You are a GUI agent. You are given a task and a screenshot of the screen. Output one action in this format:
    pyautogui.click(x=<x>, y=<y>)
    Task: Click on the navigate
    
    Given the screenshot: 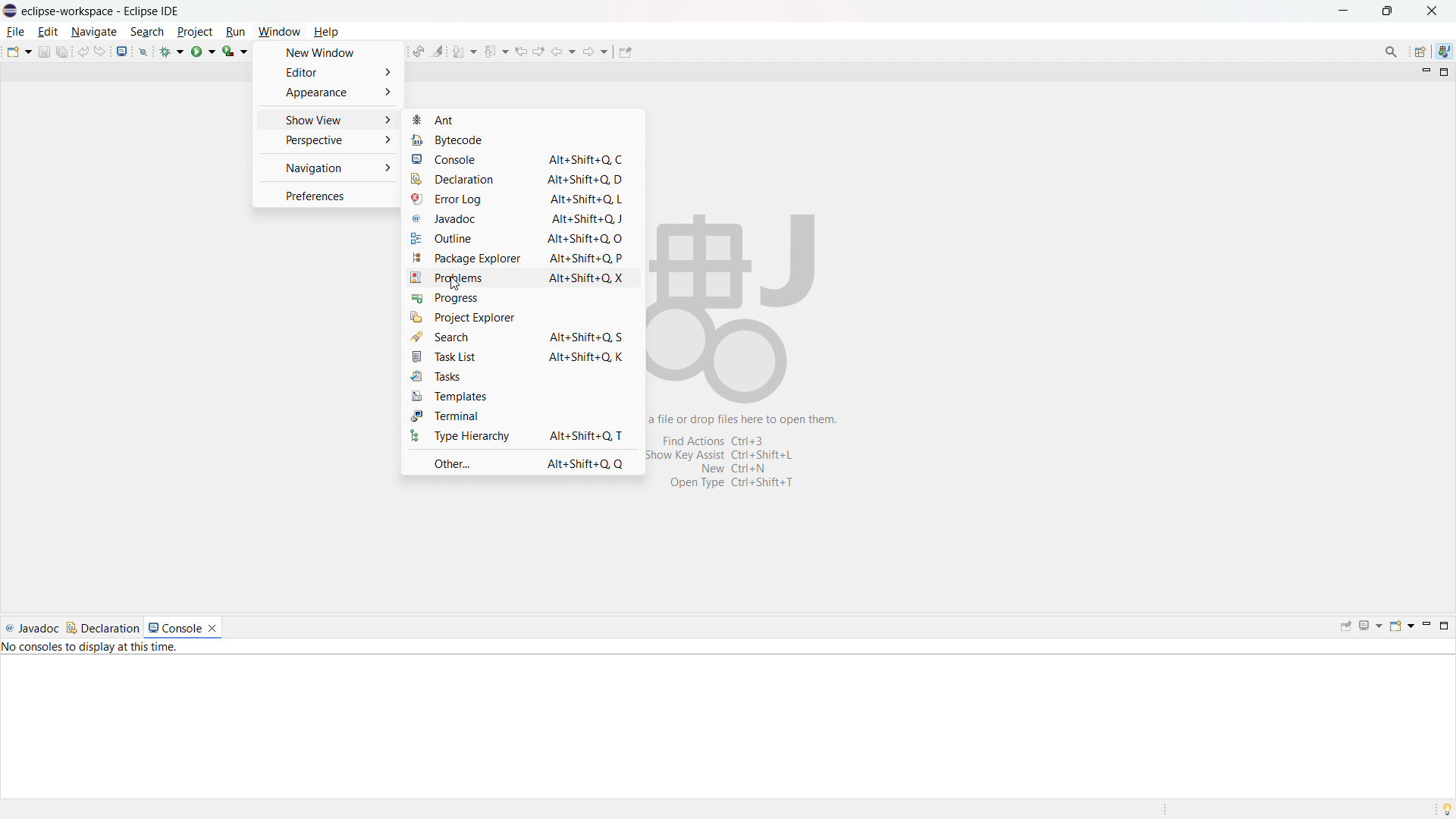 What is the action you would take?
    pyautogui.click(x=95, y=32)
    